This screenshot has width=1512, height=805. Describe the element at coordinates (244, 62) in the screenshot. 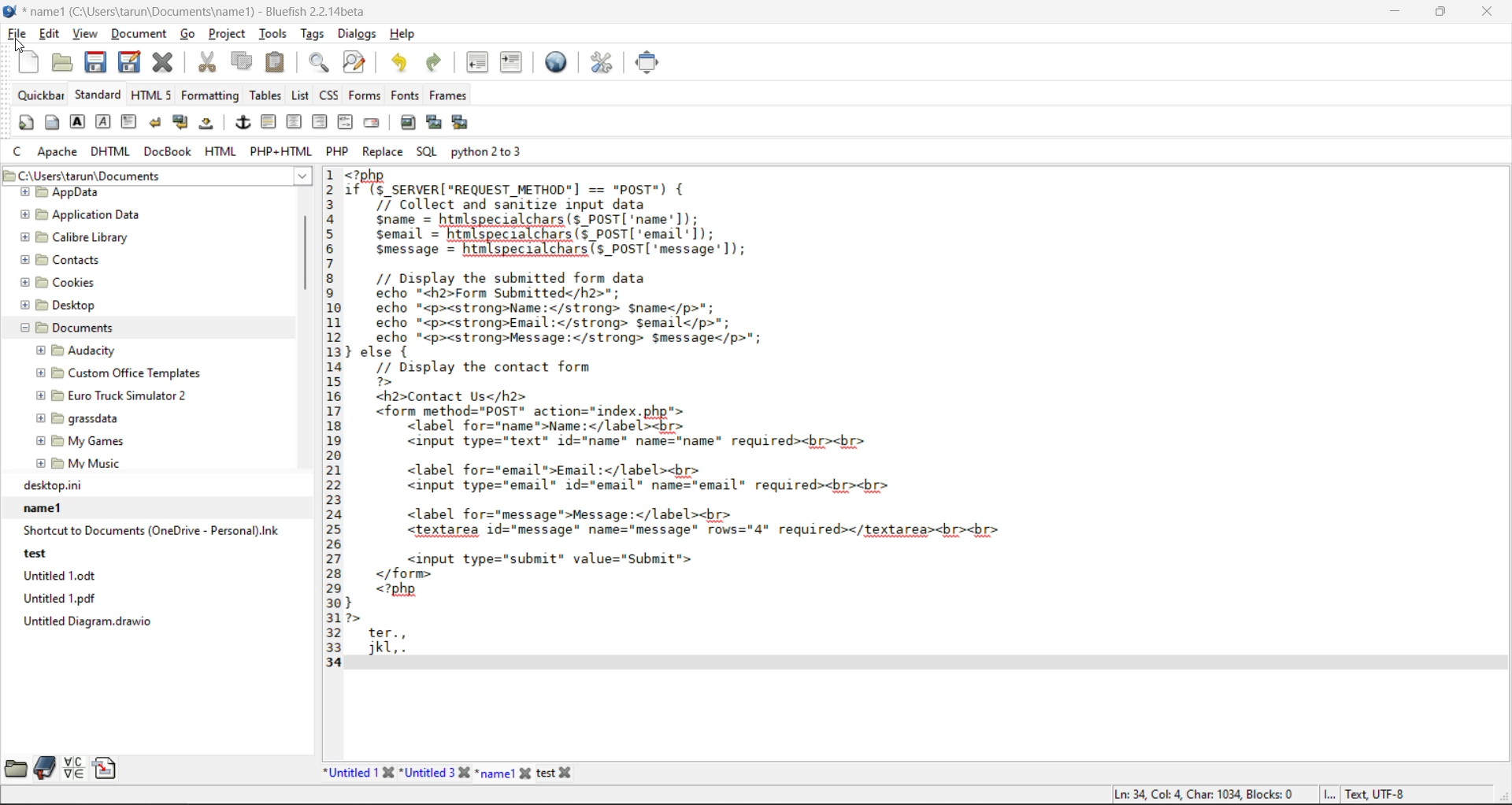

I see `copy` at that location.